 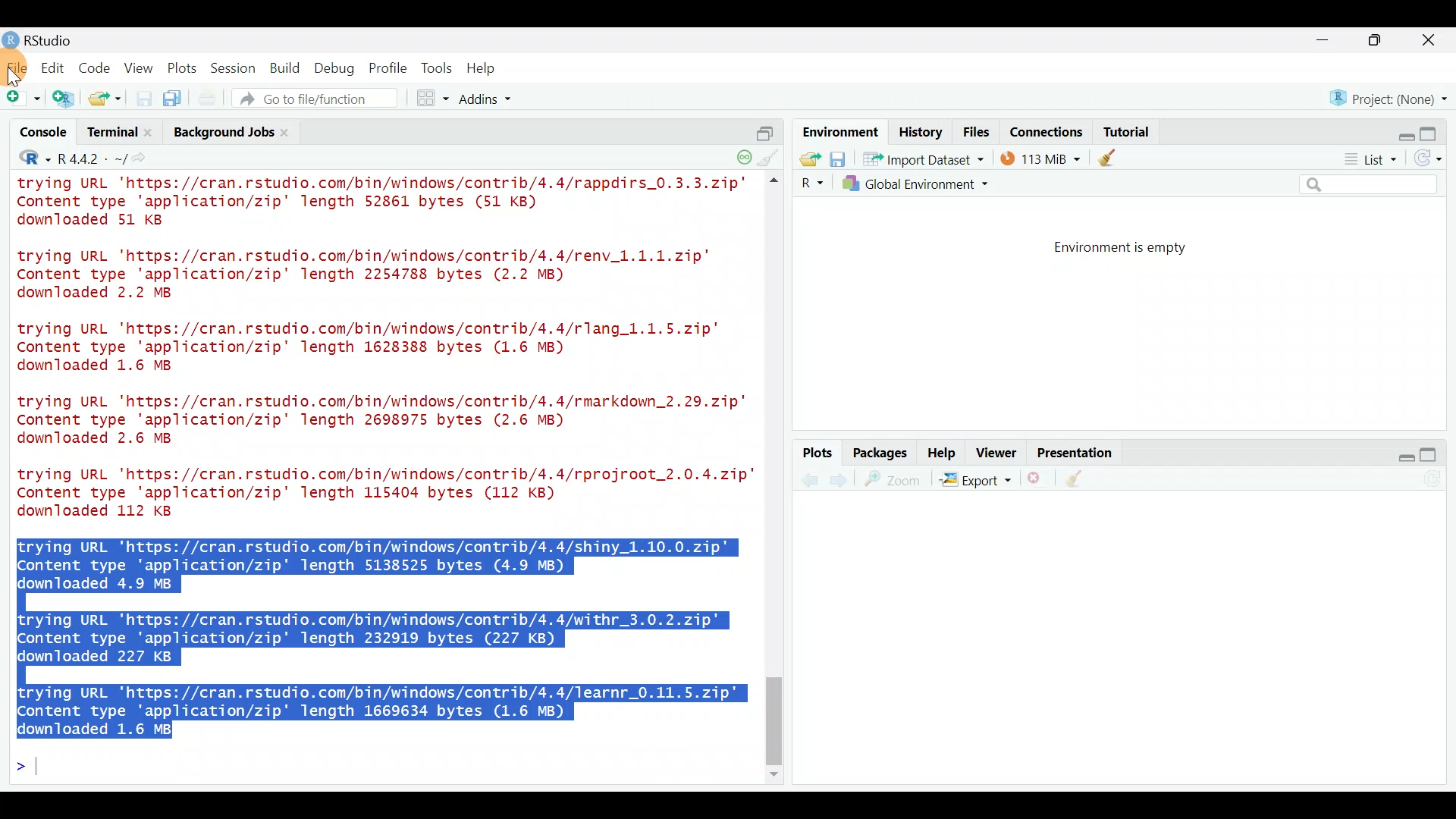 What do you see at coordinates (1429, 42) in the screenshot?
I see `close` at bounding box center [1429, 42].